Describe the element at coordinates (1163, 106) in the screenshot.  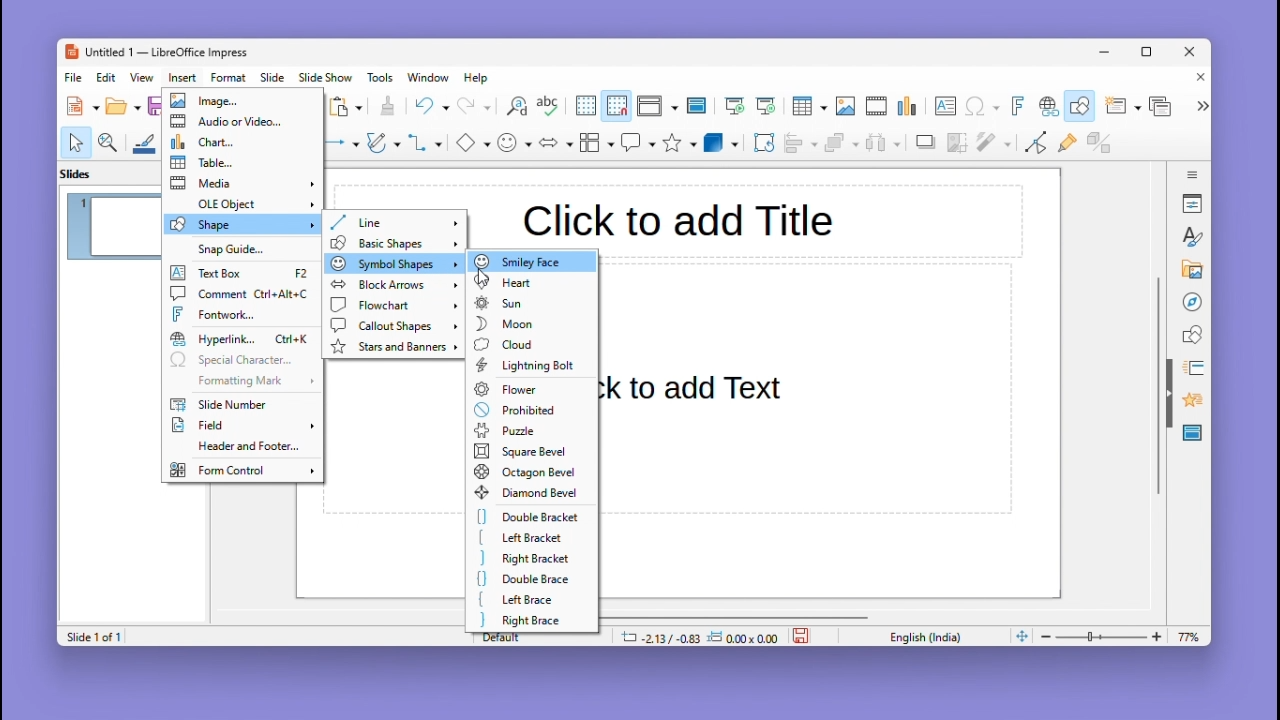
I see `Duplicate slide` at that location.